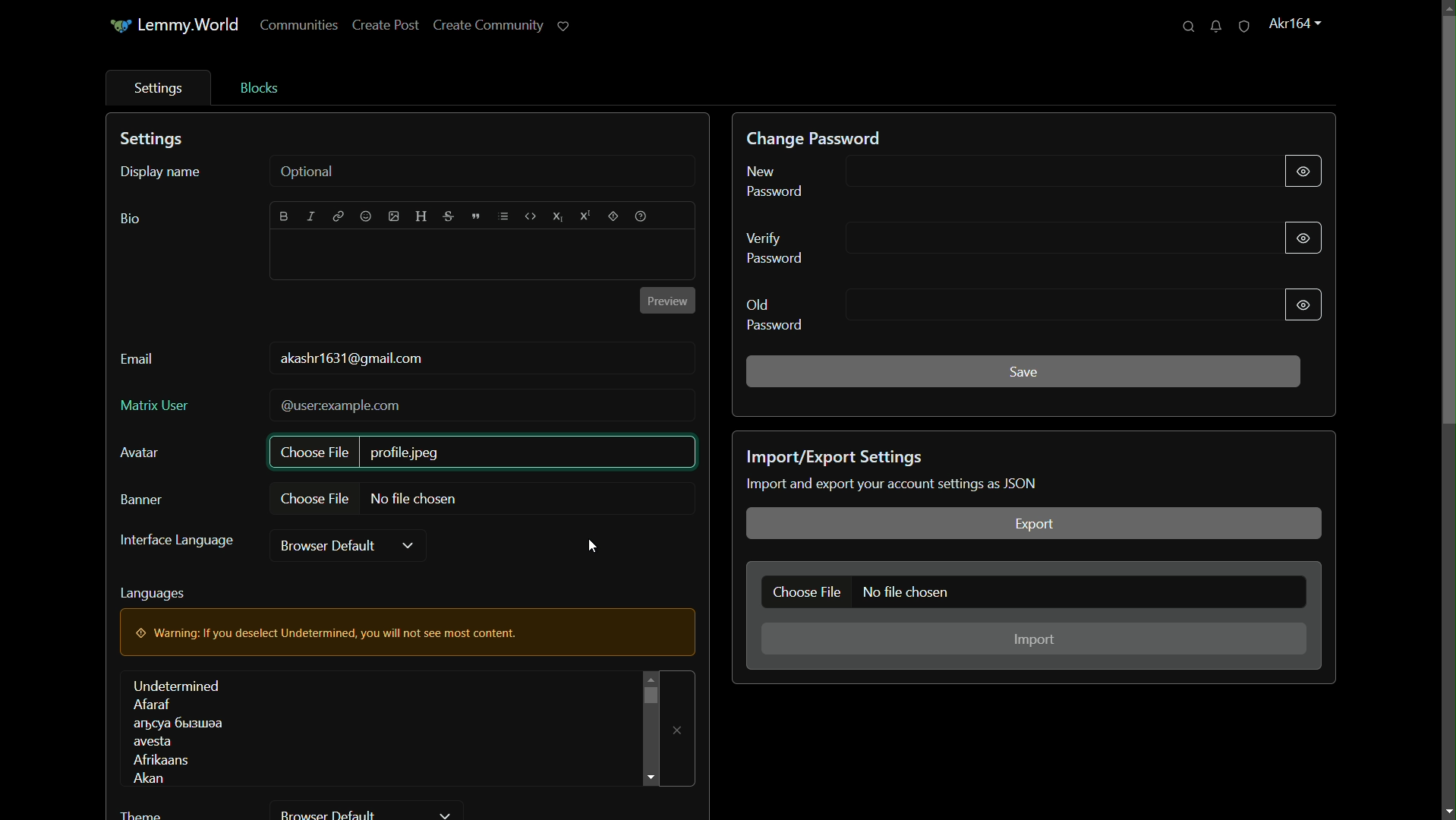  What do you see at coordinates (299, 27) in the screenshot?
I see `communities` at bounding box center [299, 27].